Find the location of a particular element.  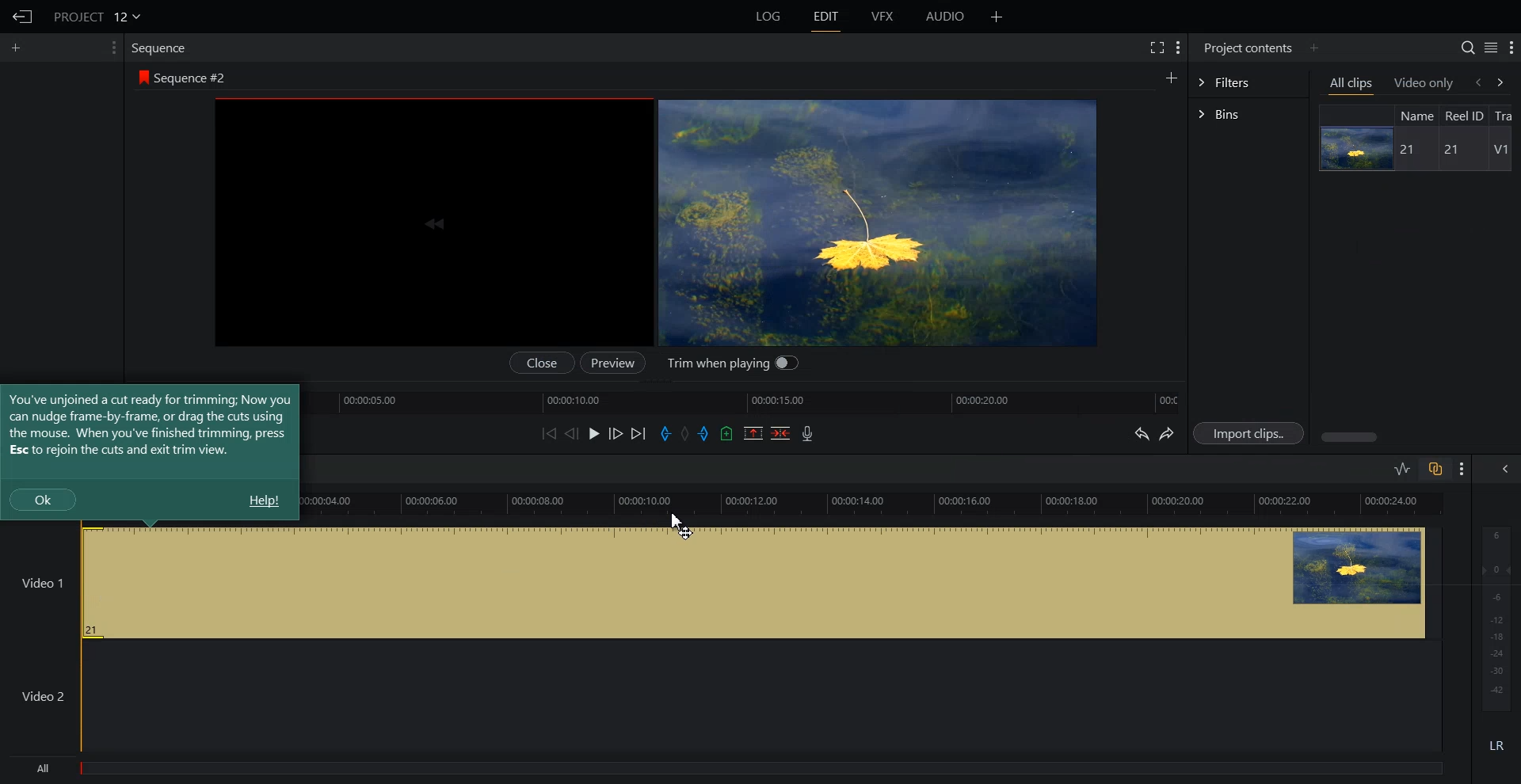

Add Panel is located at coordinates (1313, 48).